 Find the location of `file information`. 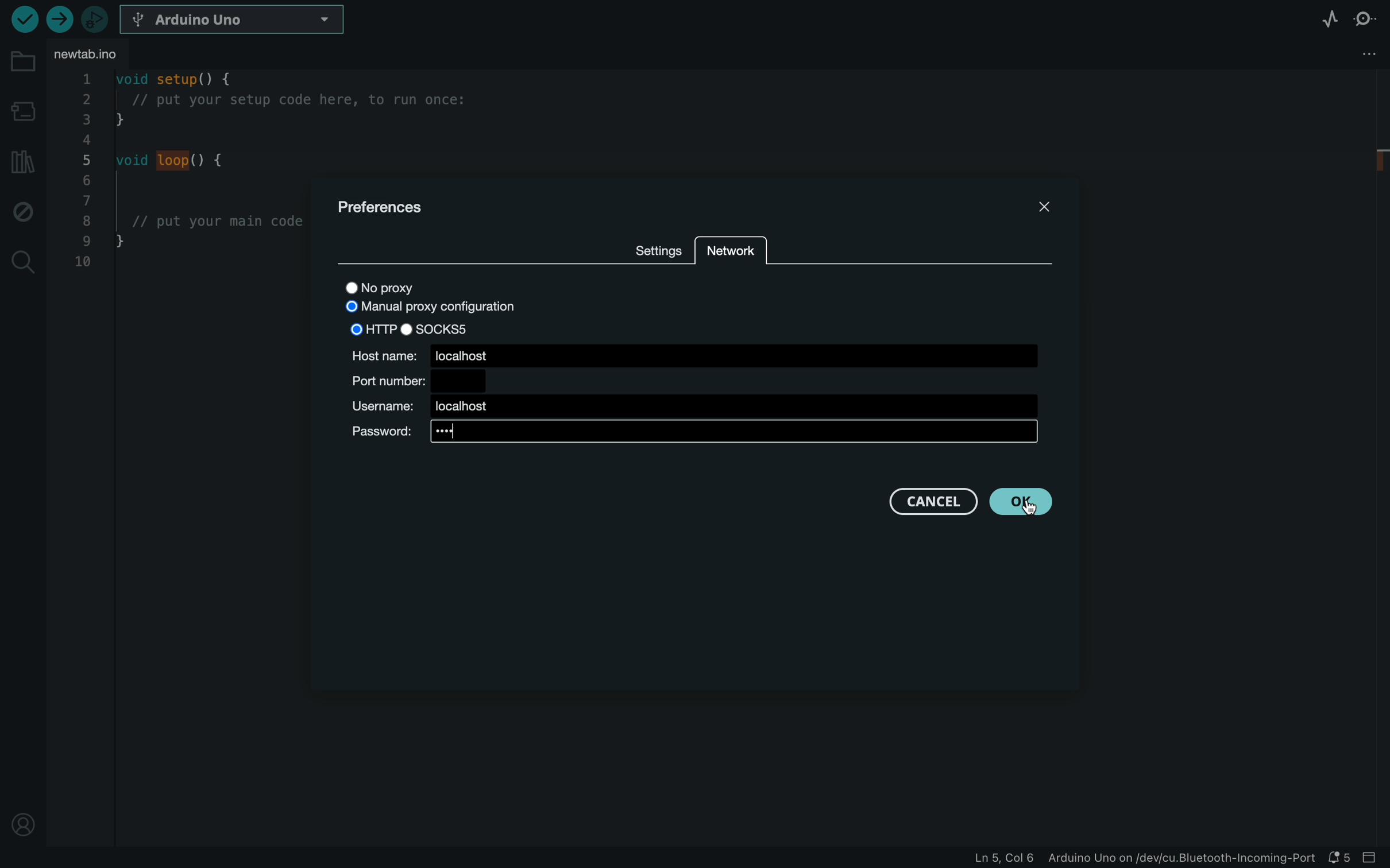

file information is located at coordinates (1145, 859).